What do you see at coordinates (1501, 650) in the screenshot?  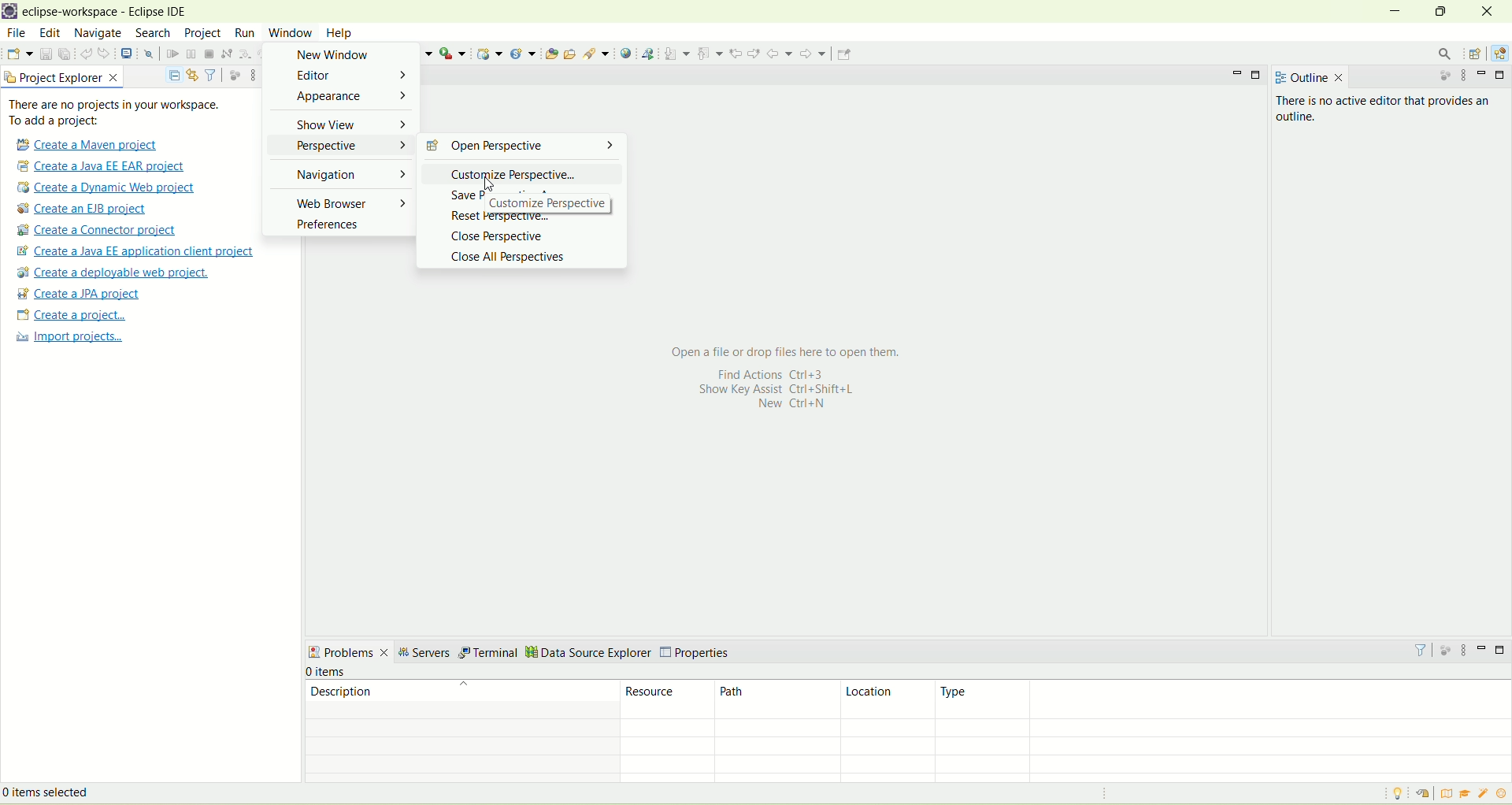 I see `maximize` at bounding box center [1501, 650].